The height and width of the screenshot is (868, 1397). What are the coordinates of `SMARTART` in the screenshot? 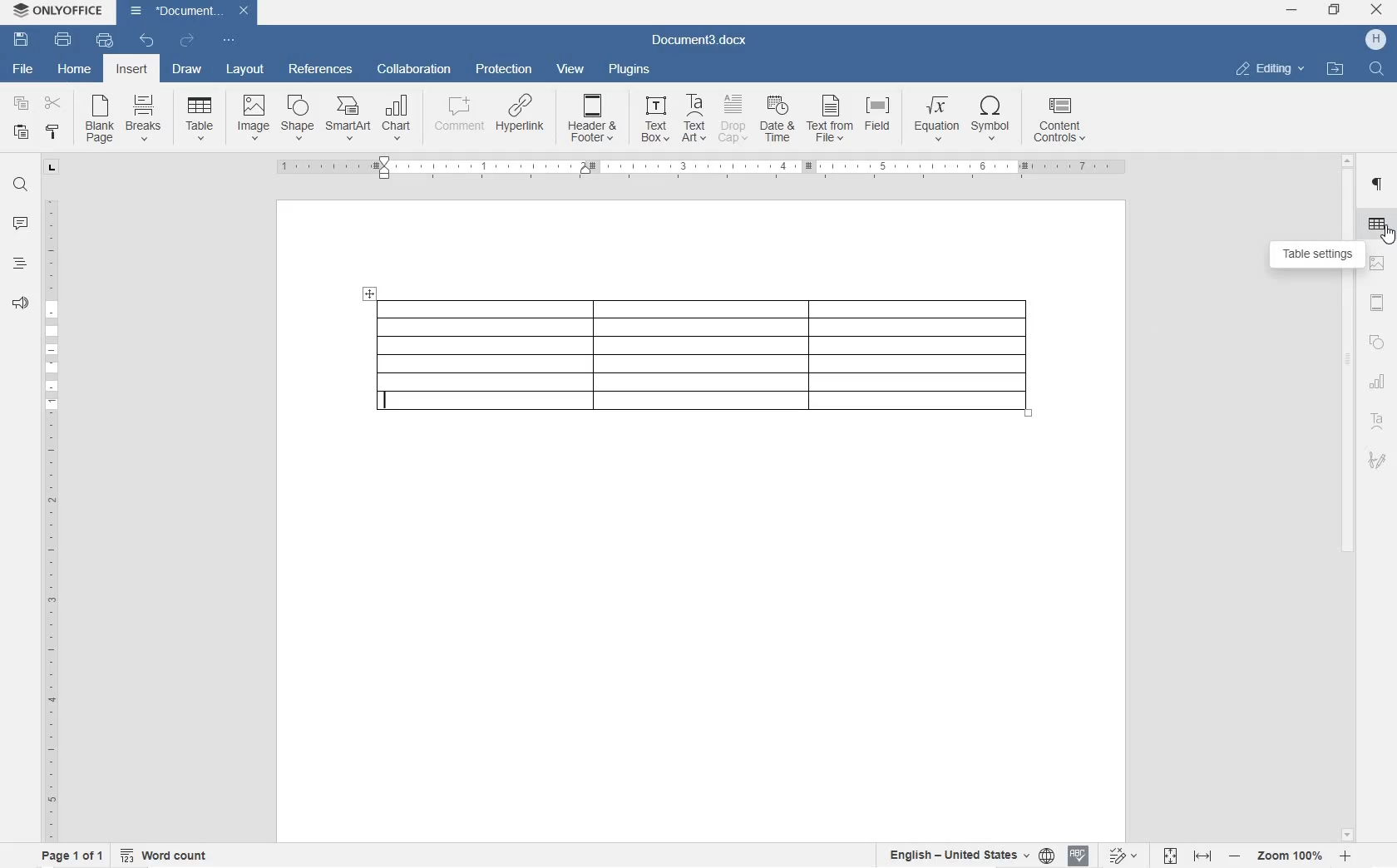 It's located at (348, 119).